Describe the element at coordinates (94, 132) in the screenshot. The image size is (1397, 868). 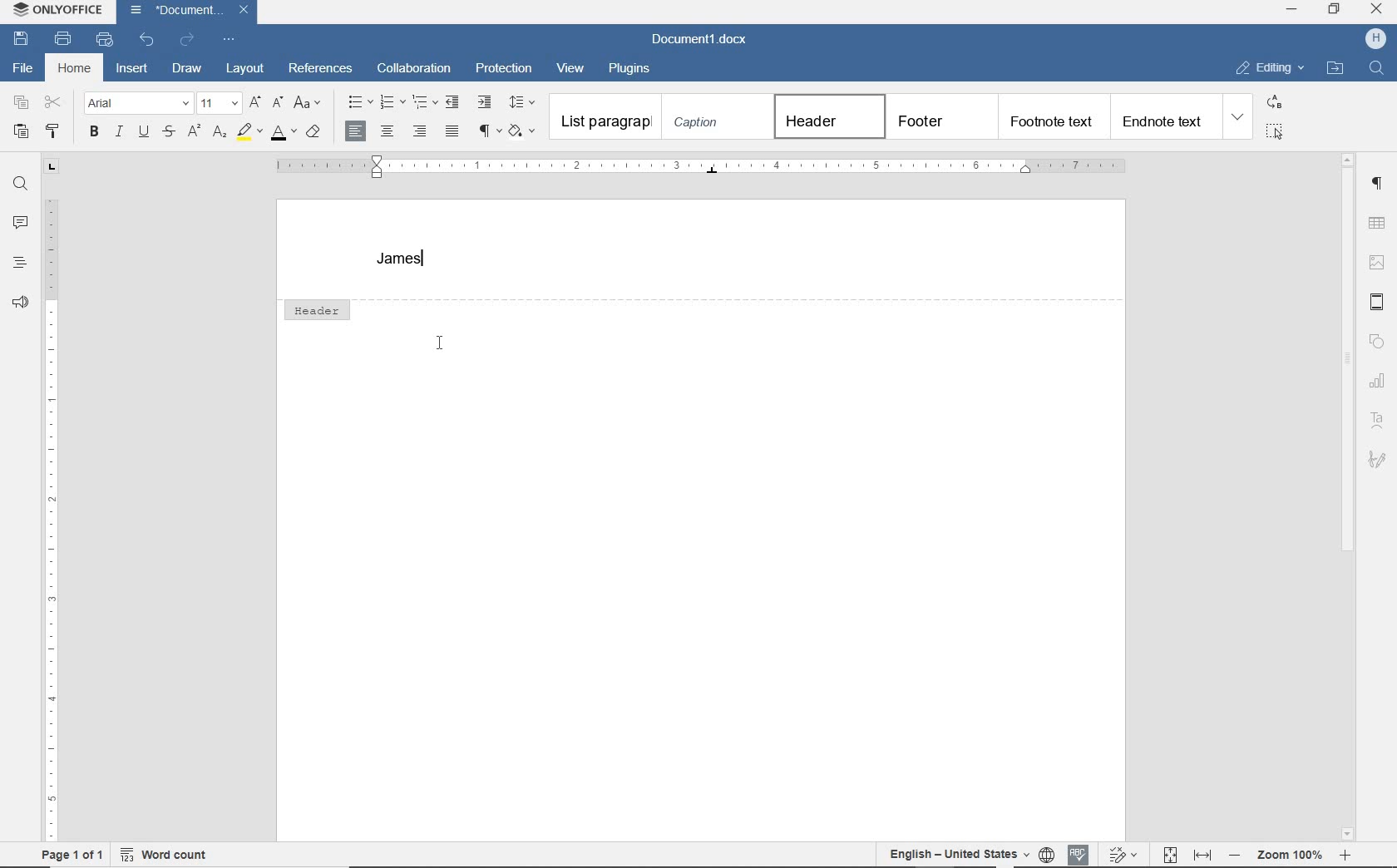
I see `bold` at that location.